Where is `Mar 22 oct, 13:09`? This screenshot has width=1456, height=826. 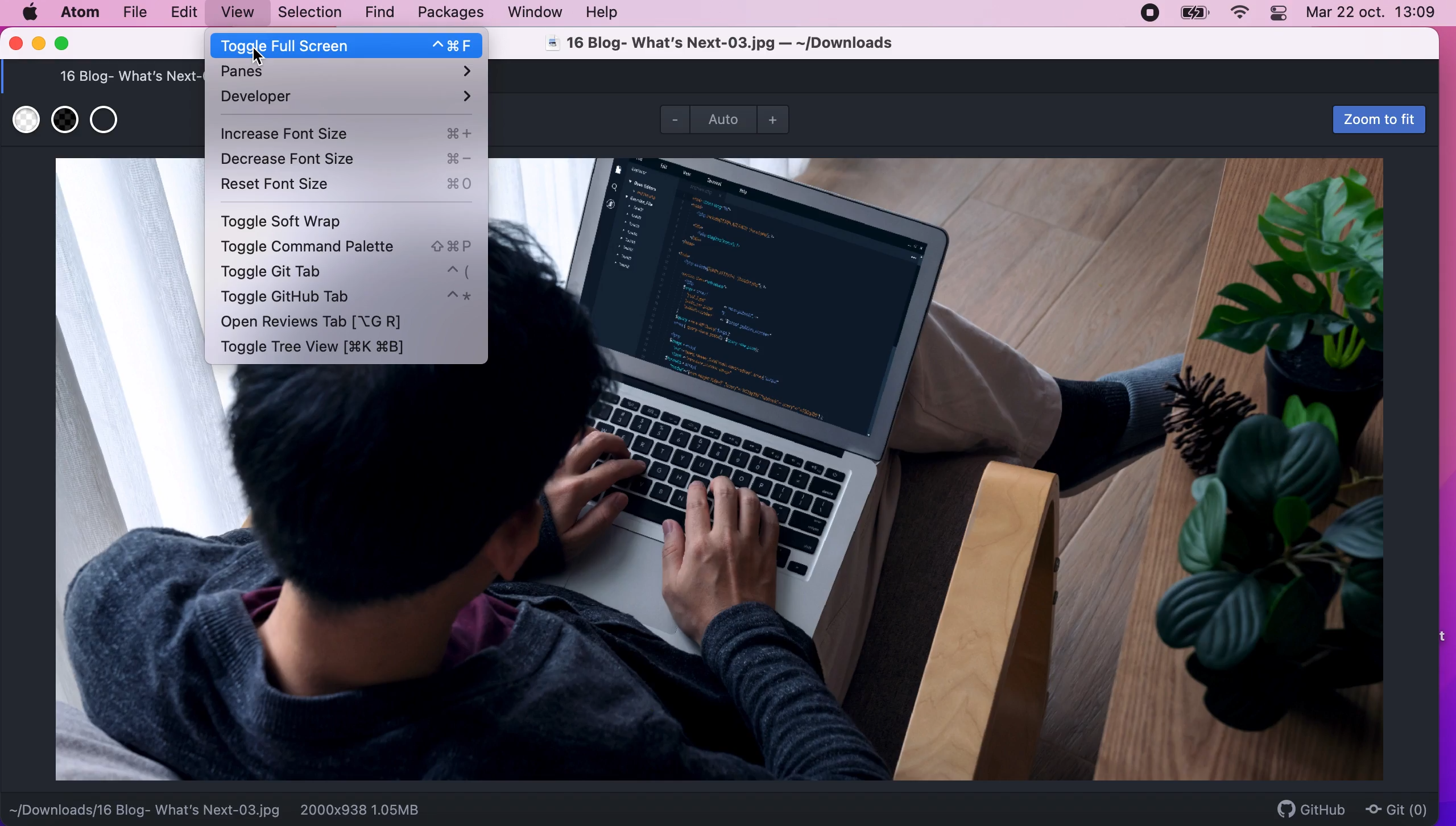
Mar 22 oct, 13:09 is located at coordinates (1377, 14).